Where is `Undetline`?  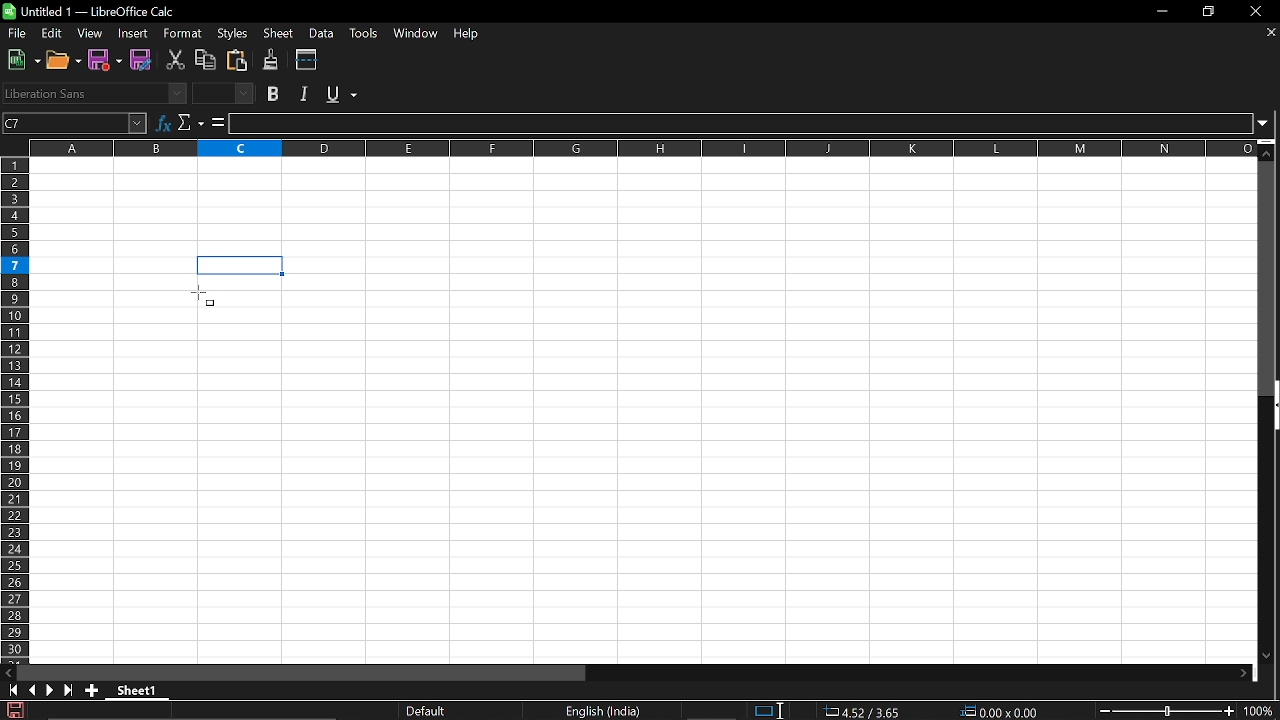 Undetline is located at coordinates (341, 93).